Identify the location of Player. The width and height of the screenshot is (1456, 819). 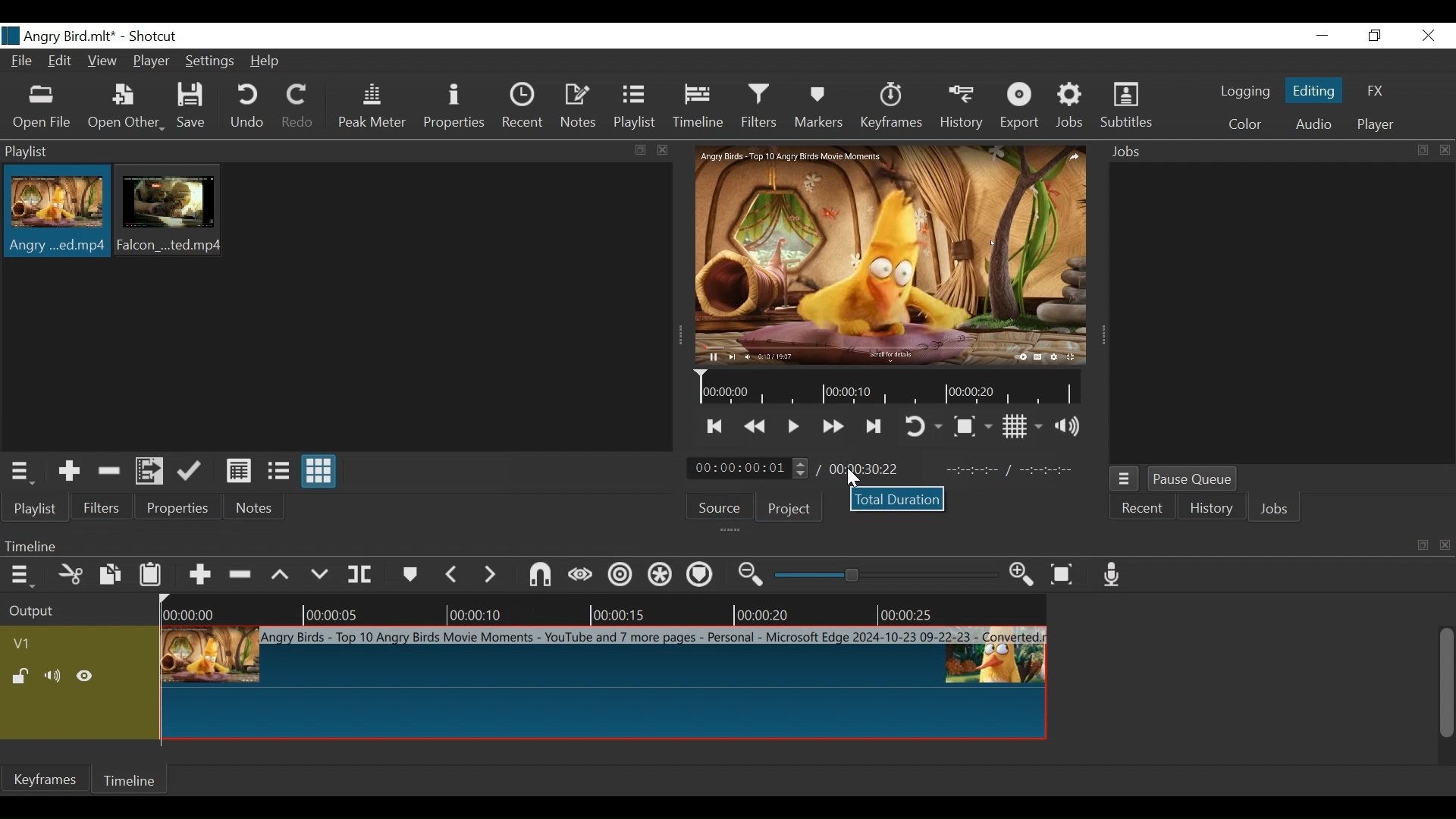
(152, 61).